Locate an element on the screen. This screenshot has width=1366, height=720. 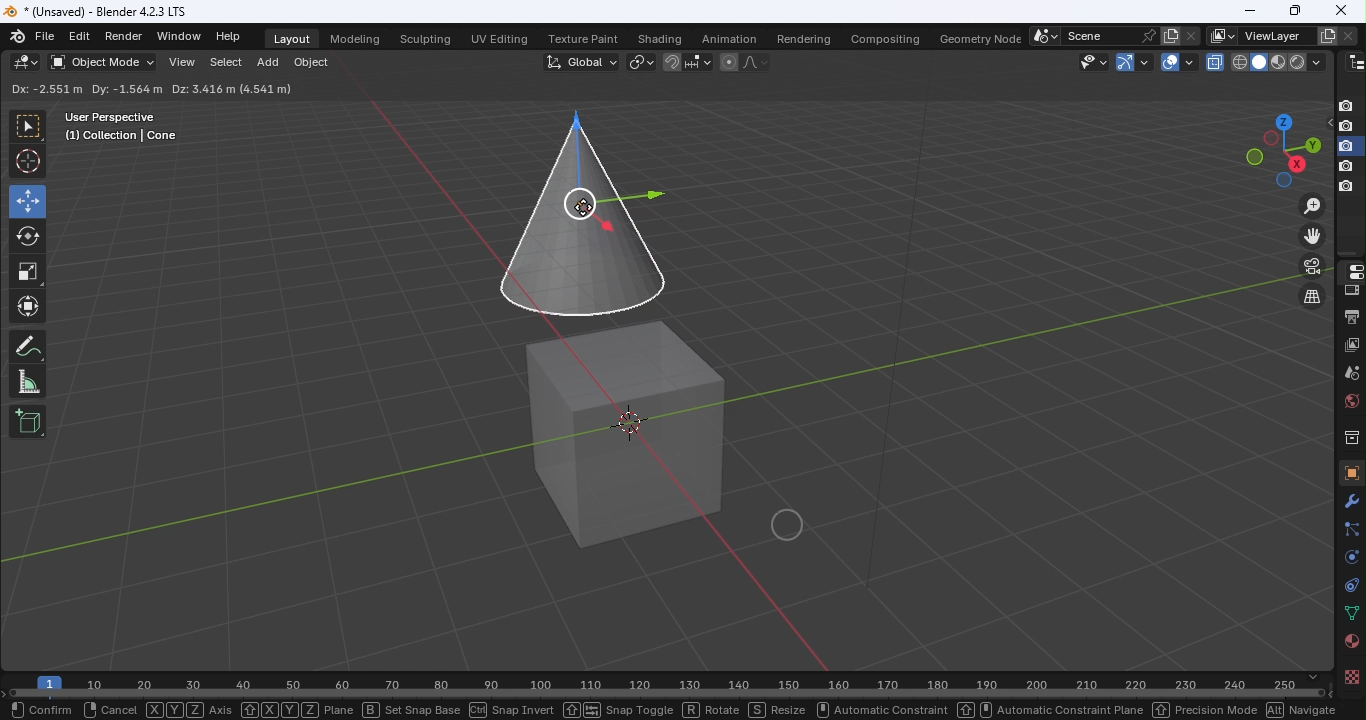
viewpoint shader: Rendered is located at coordinates (1296, 61).